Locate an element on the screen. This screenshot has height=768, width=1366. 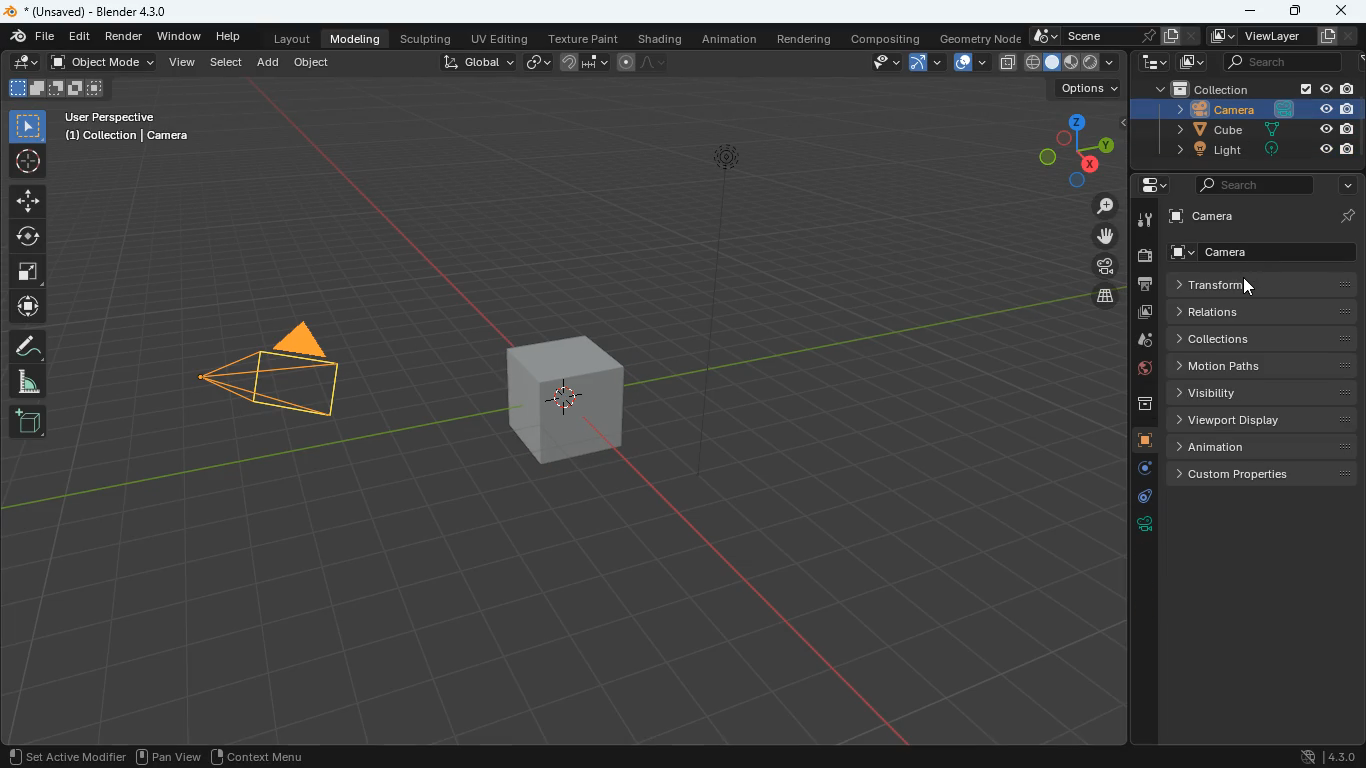
window is located at coordinates (180, 37).